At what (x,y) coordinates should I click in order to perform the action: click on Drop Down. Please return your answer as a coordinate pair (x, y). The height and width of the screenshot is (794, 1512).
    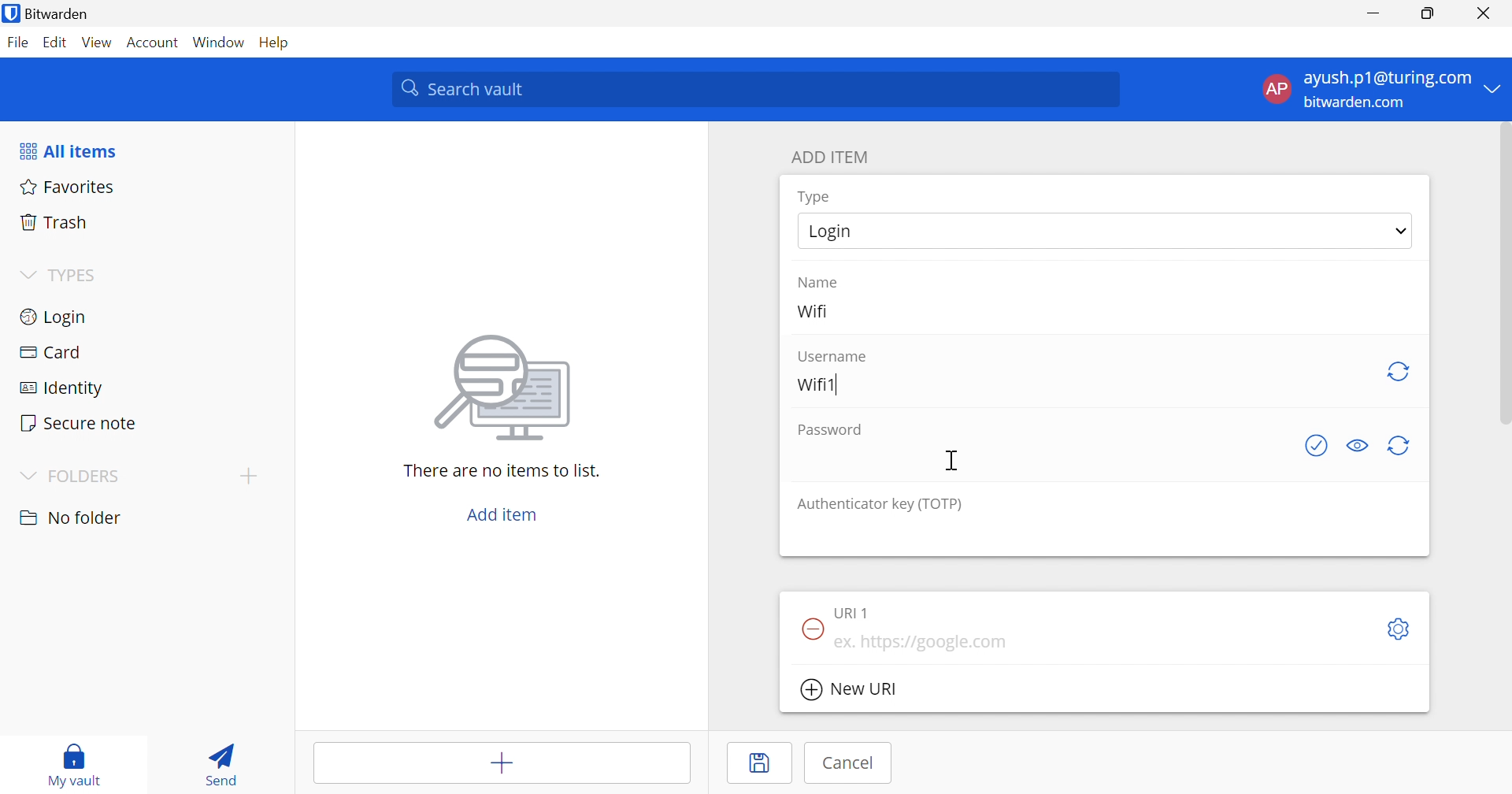
    Looking at the image, I should click on (1402, 230).